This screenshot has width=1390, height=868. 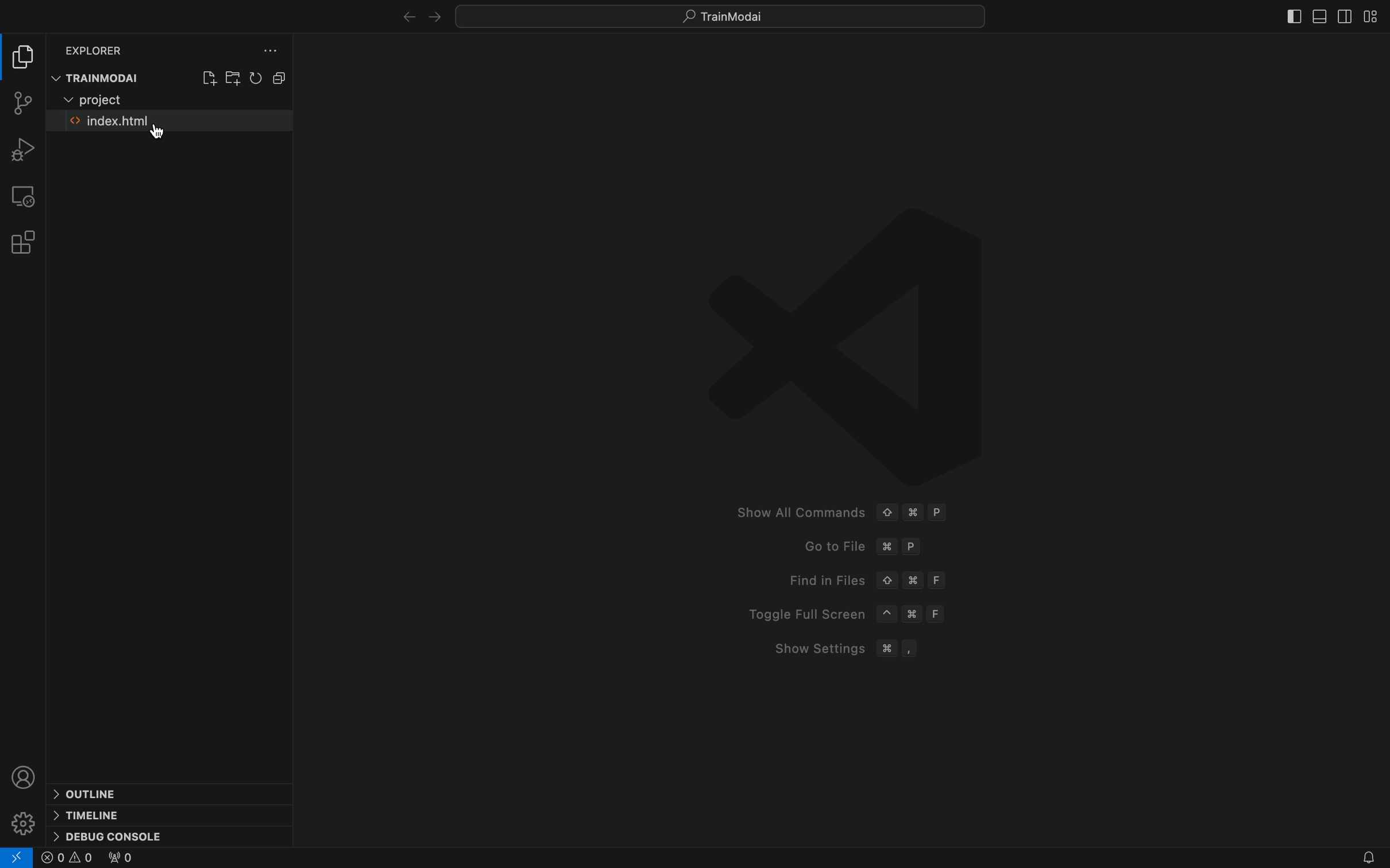 I want to click on file menus, so click(x=208, y=79).